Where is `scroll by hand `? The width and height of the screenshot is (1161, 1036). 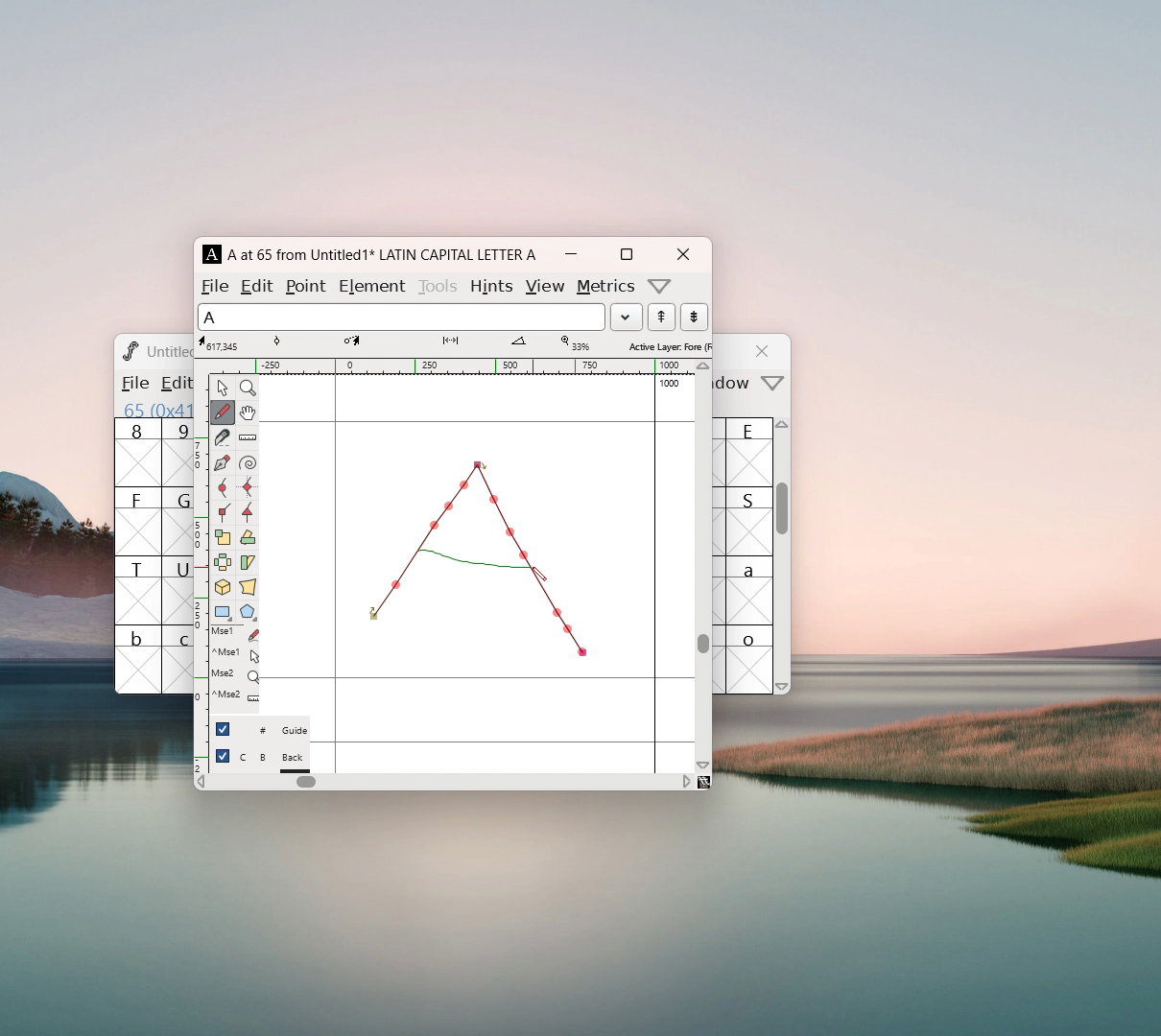 scroll by hand  is located at coordinates (248, 413).